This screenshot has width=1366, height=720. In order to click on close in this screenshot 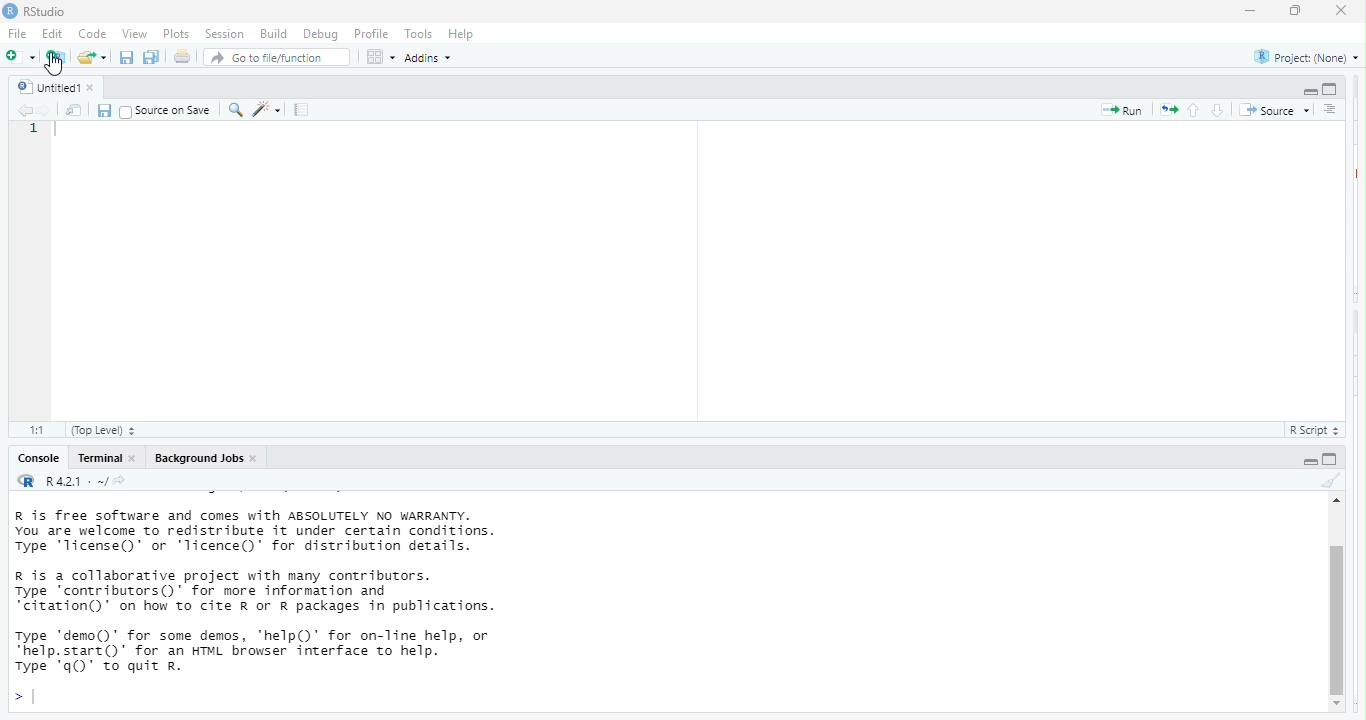, I will do `click(137, 459)`.